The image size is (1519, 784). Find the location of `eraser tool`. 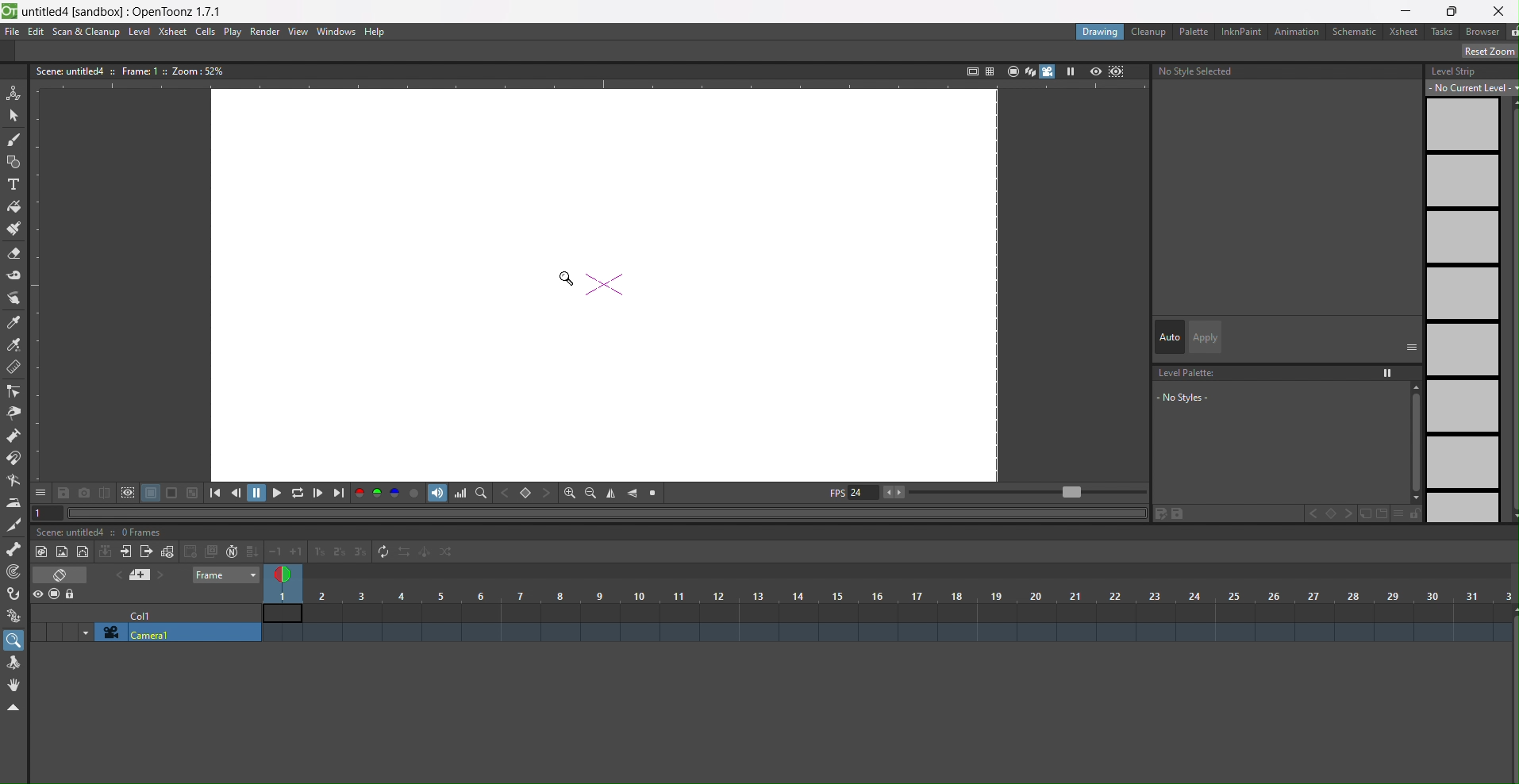

eraser tool is located at coordinates (13, 253).